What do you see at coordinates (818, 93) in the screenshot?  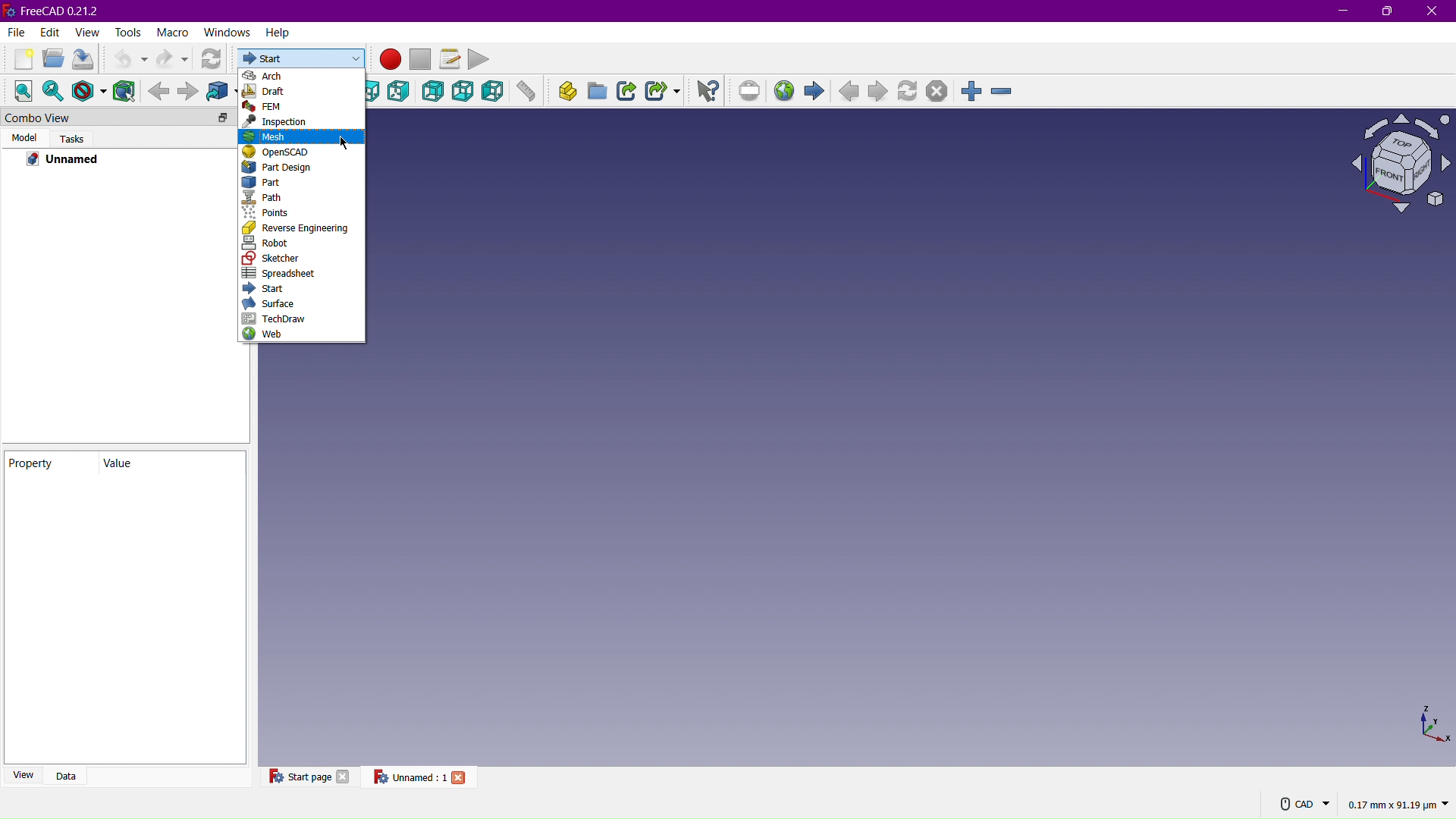 I see `Start` at bounding box center [818, 93].